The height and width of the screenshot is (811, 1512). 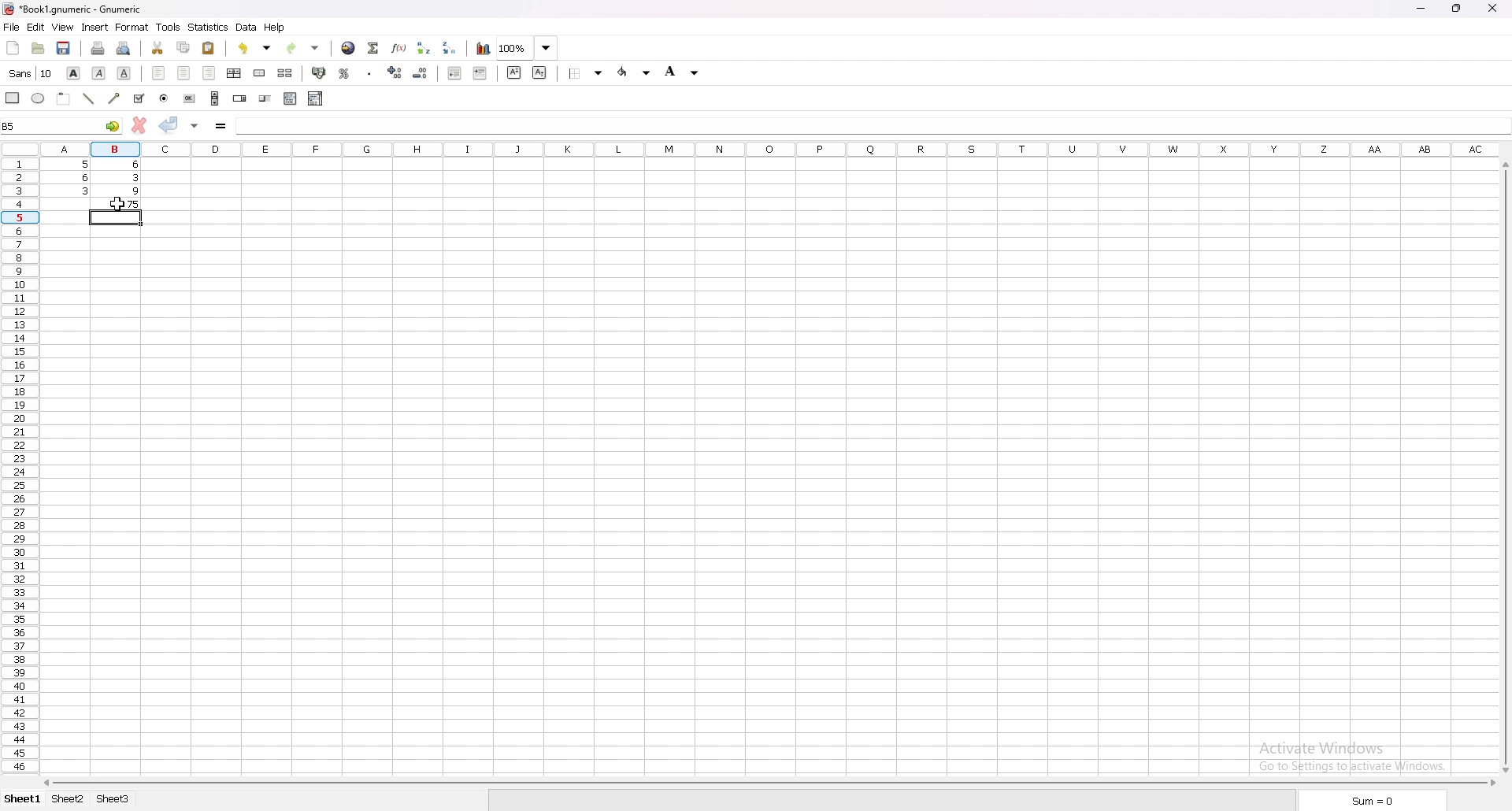 What do you see at coordinates (62, 125) in the screenshot?
I see `selected cell` at bounding box center [62, 125].